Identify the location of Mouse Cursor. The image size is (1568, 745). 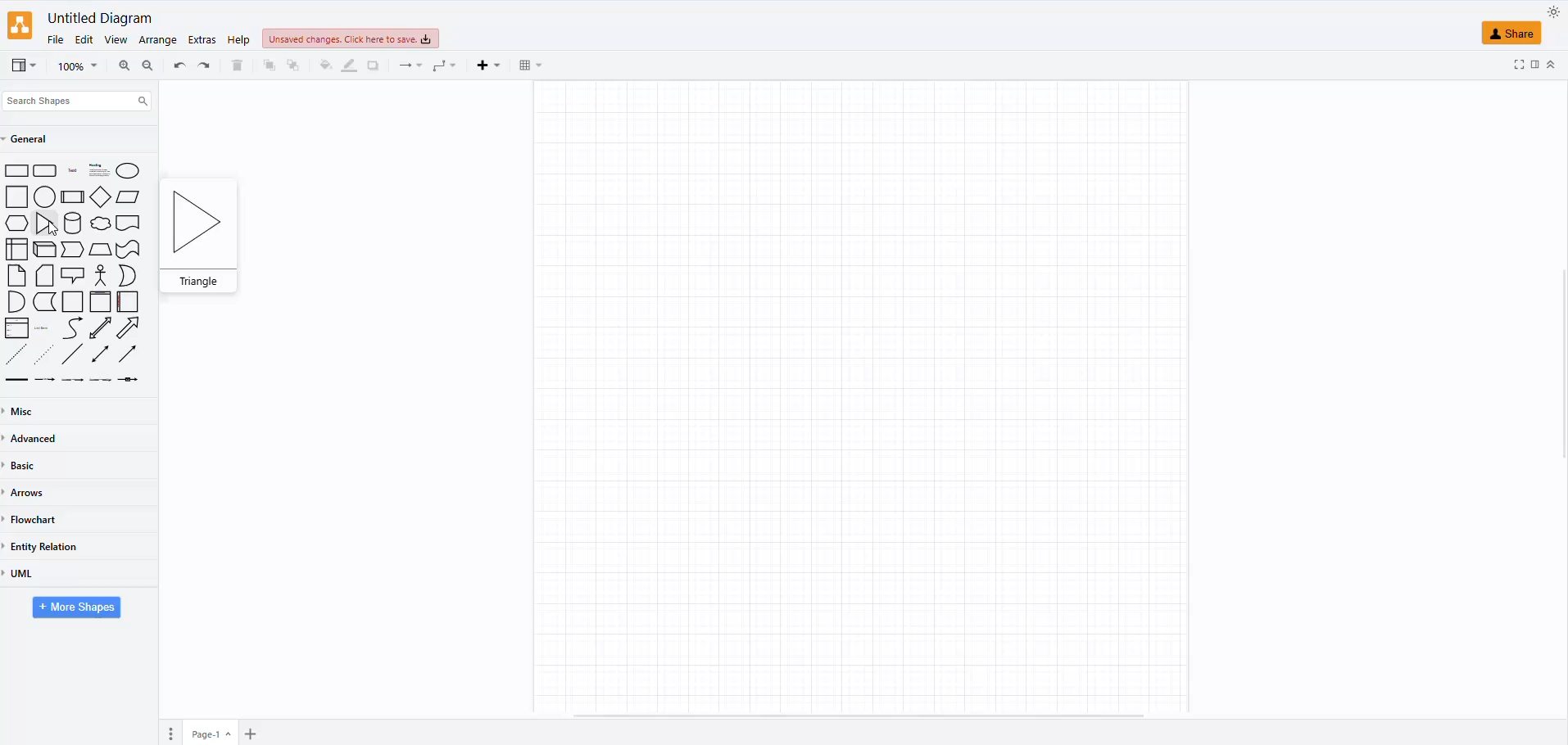
(55, 232).